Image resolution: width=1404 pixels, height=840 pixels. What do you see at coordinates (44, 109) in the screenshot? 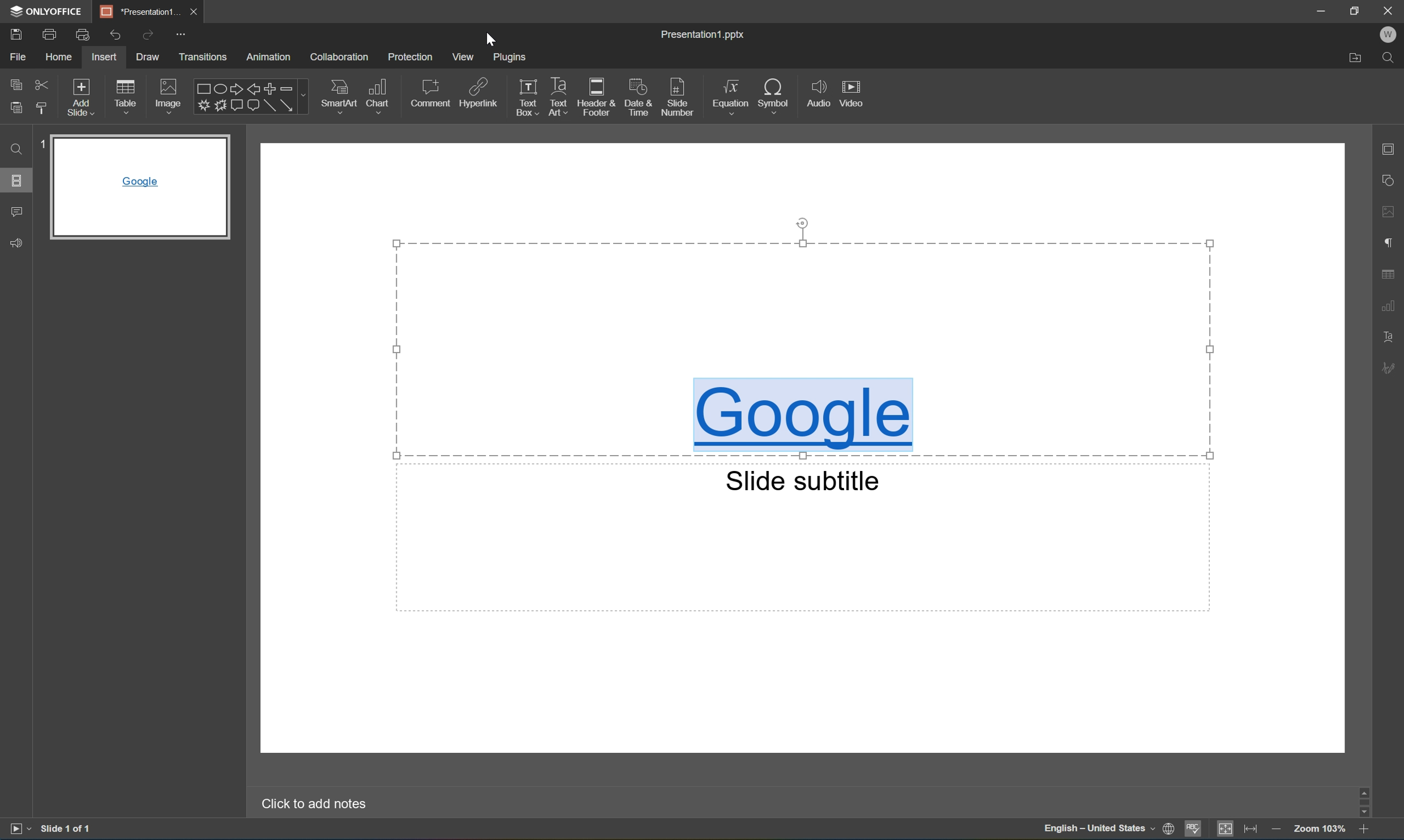
I see `Copy style` at bounding box center [44, 109].